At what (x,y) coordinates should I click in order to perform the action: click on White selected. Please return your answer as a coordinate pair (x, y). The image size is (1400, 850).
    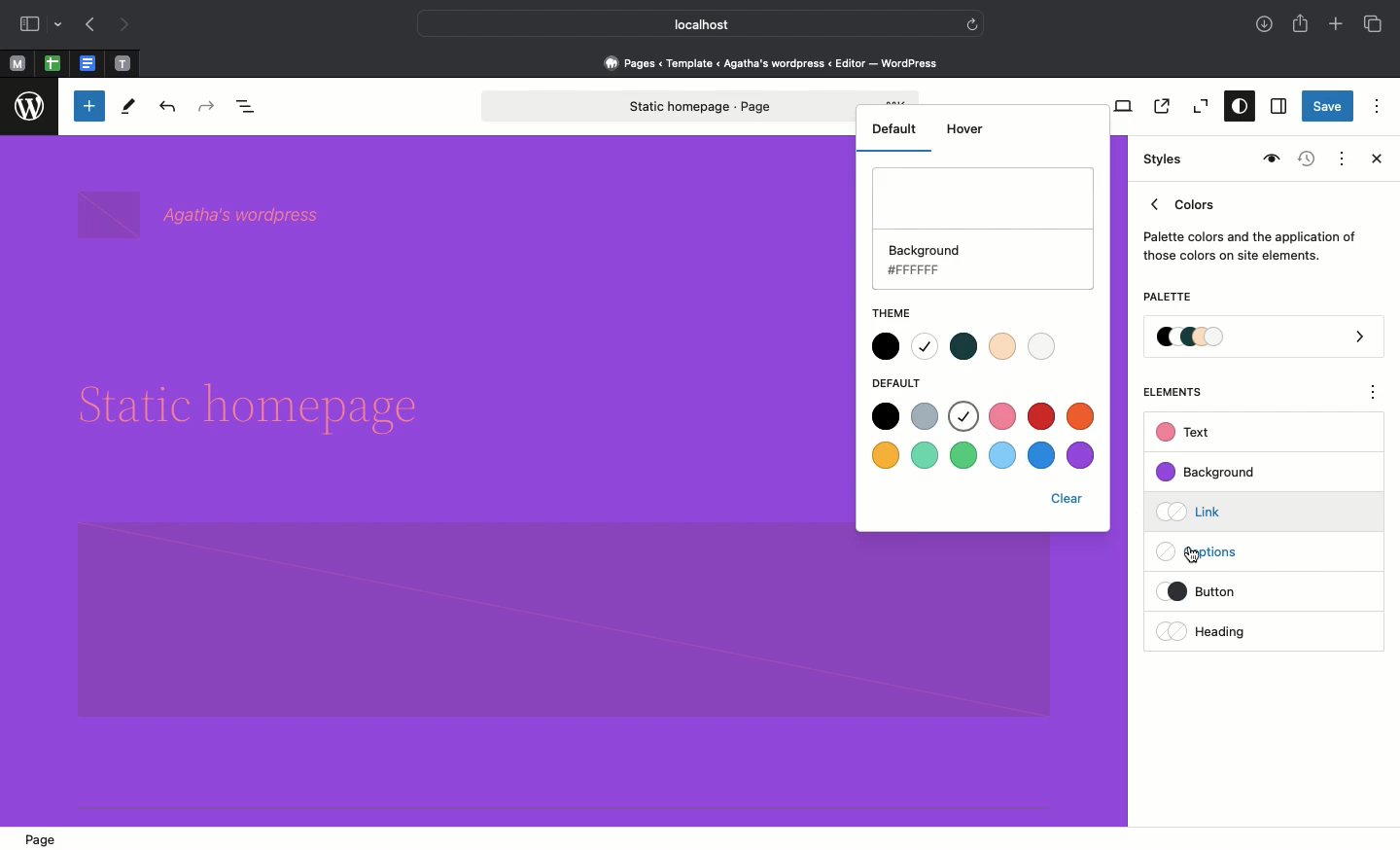
    Looking at the image, I should click on (965, 417).